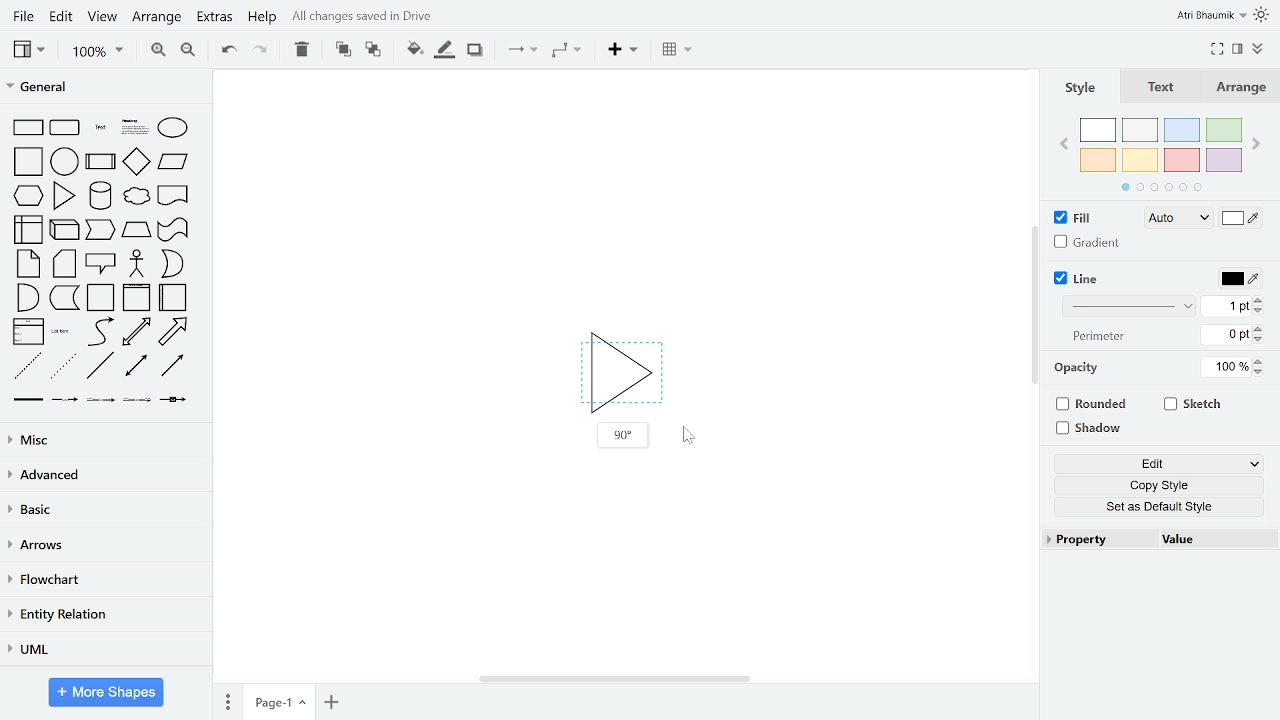 The height and width of the screenshot is (720, 1280). What do you see at coordinates (65, 367) in the screenshot?
I see `dotted line` at bounding box center [65, 367].